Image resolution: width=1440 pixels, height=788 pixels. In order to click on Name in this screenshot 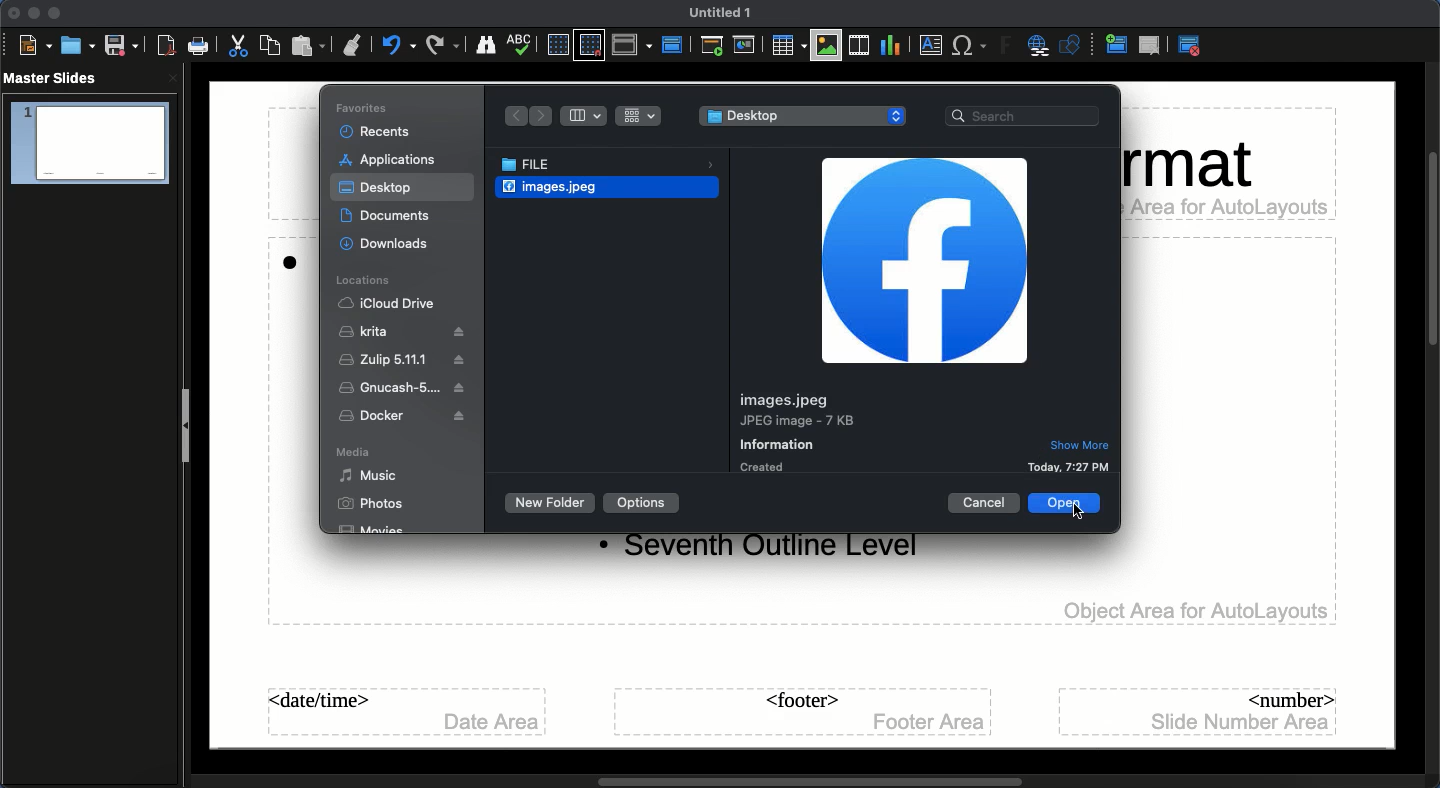, I will do `click(716, 12)`.